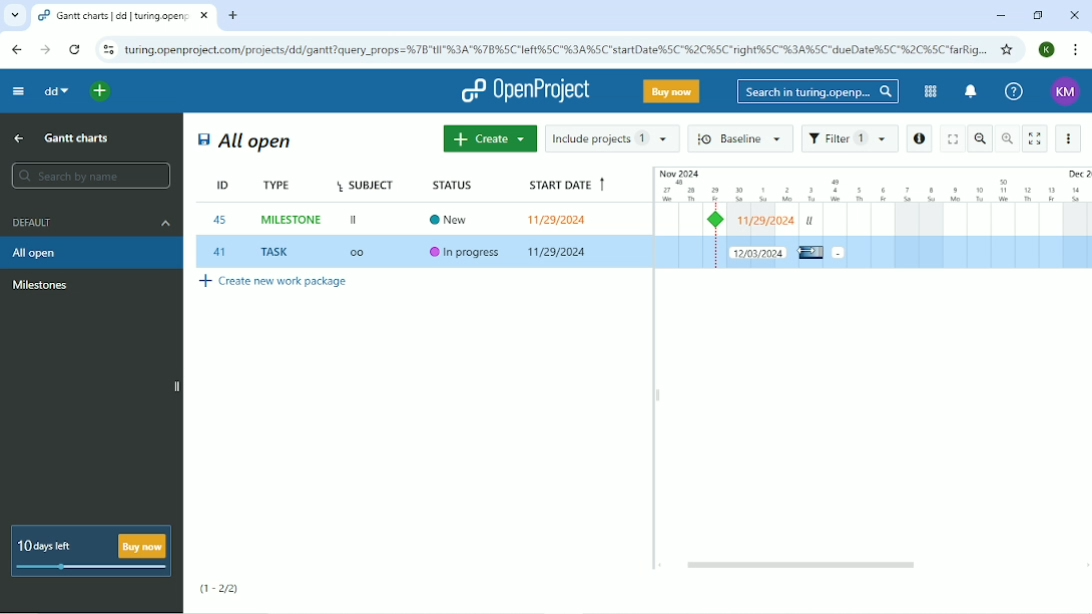  What do you see at coordinates (216, 185) in the screenshot?
I see `ID` at bounding box center [216, 185].